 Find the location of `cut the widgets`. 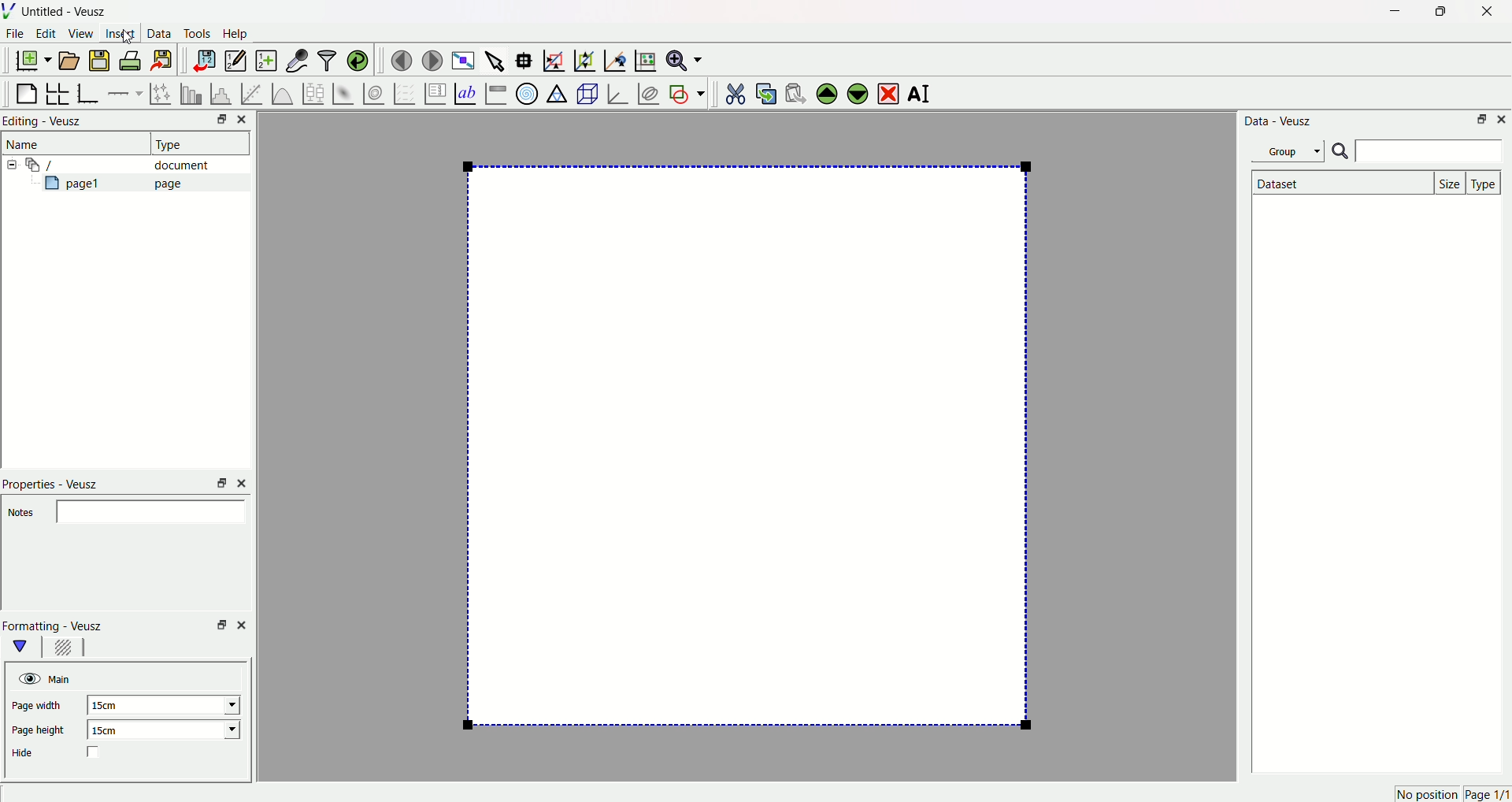

cut the widgets is located at coordinates (735, 91).